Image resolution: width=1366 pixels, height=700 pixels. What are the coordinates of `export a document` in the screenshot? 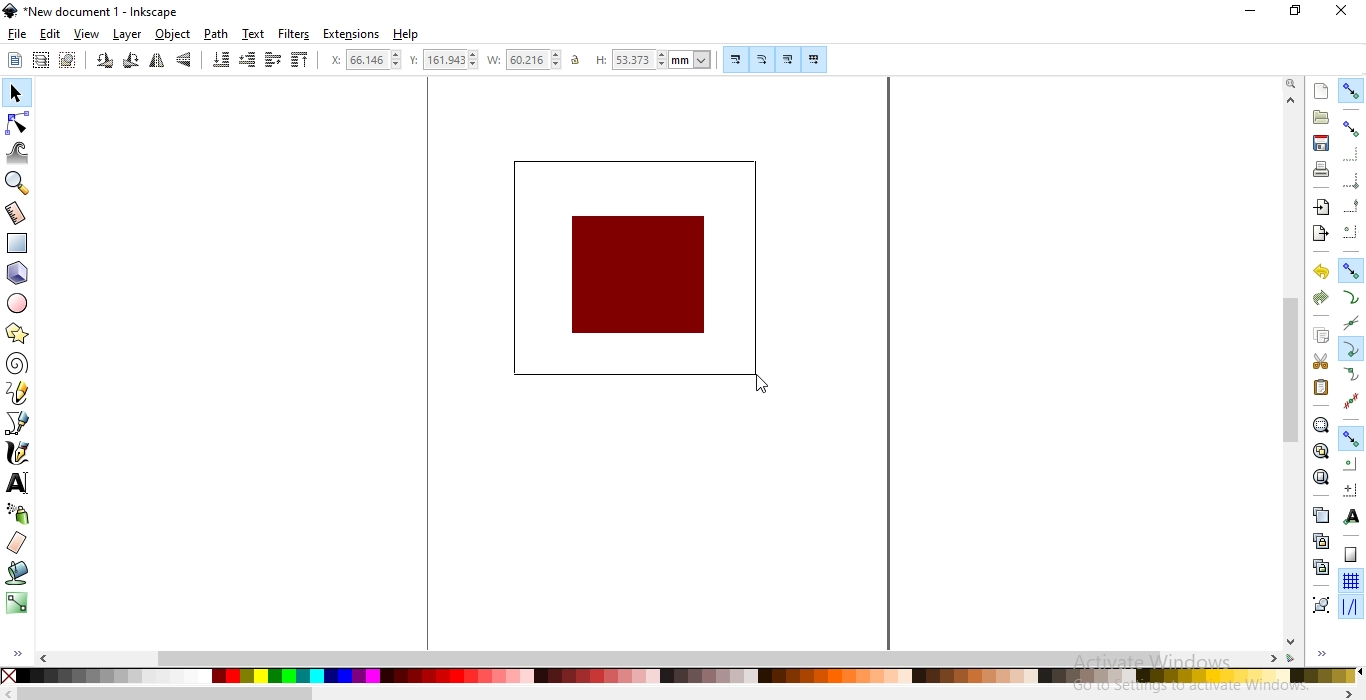 It's located at (1324, 232).